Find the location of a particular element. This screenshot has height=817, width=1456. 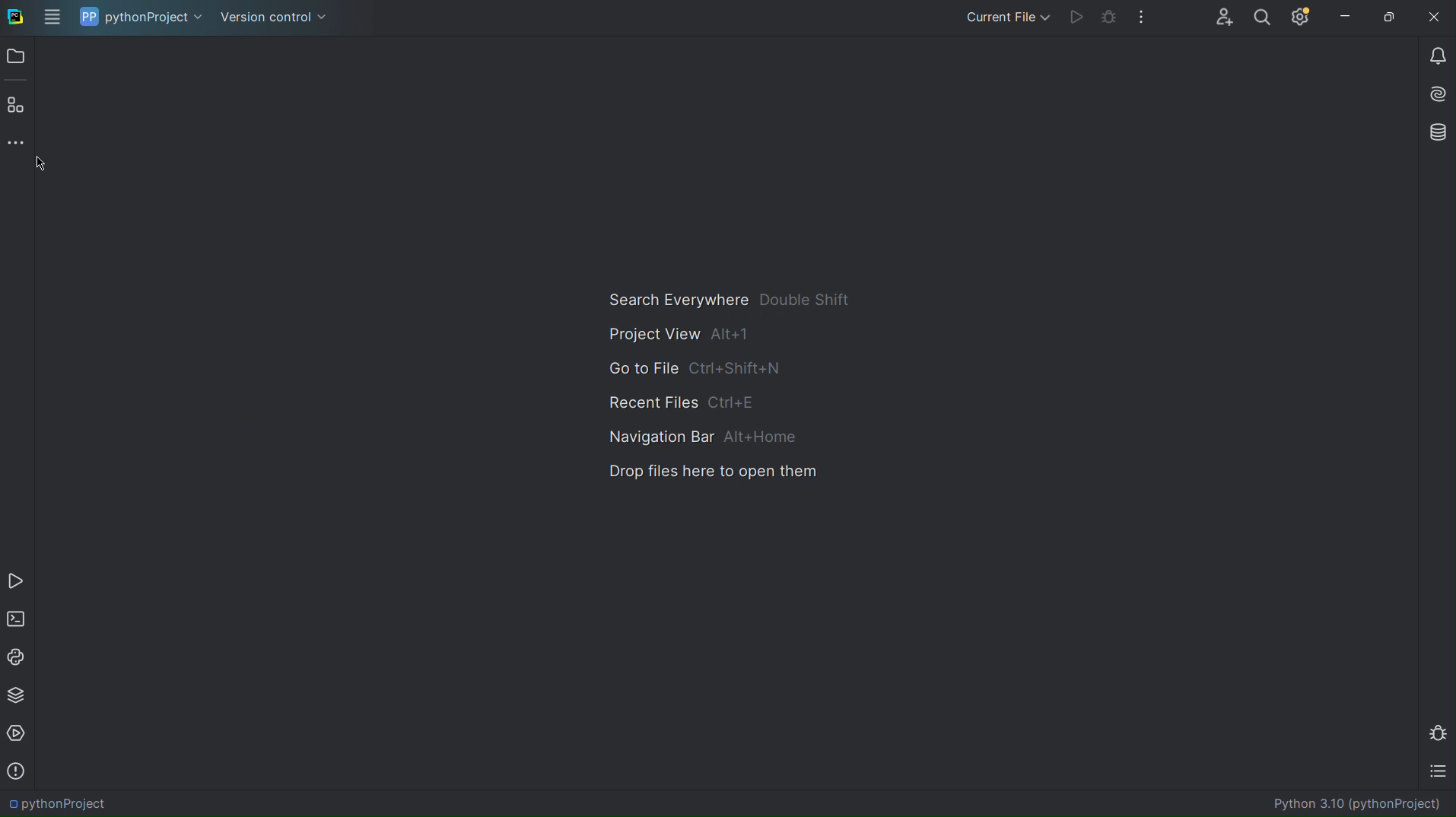

Python Console is located at coordinates (18, 656).